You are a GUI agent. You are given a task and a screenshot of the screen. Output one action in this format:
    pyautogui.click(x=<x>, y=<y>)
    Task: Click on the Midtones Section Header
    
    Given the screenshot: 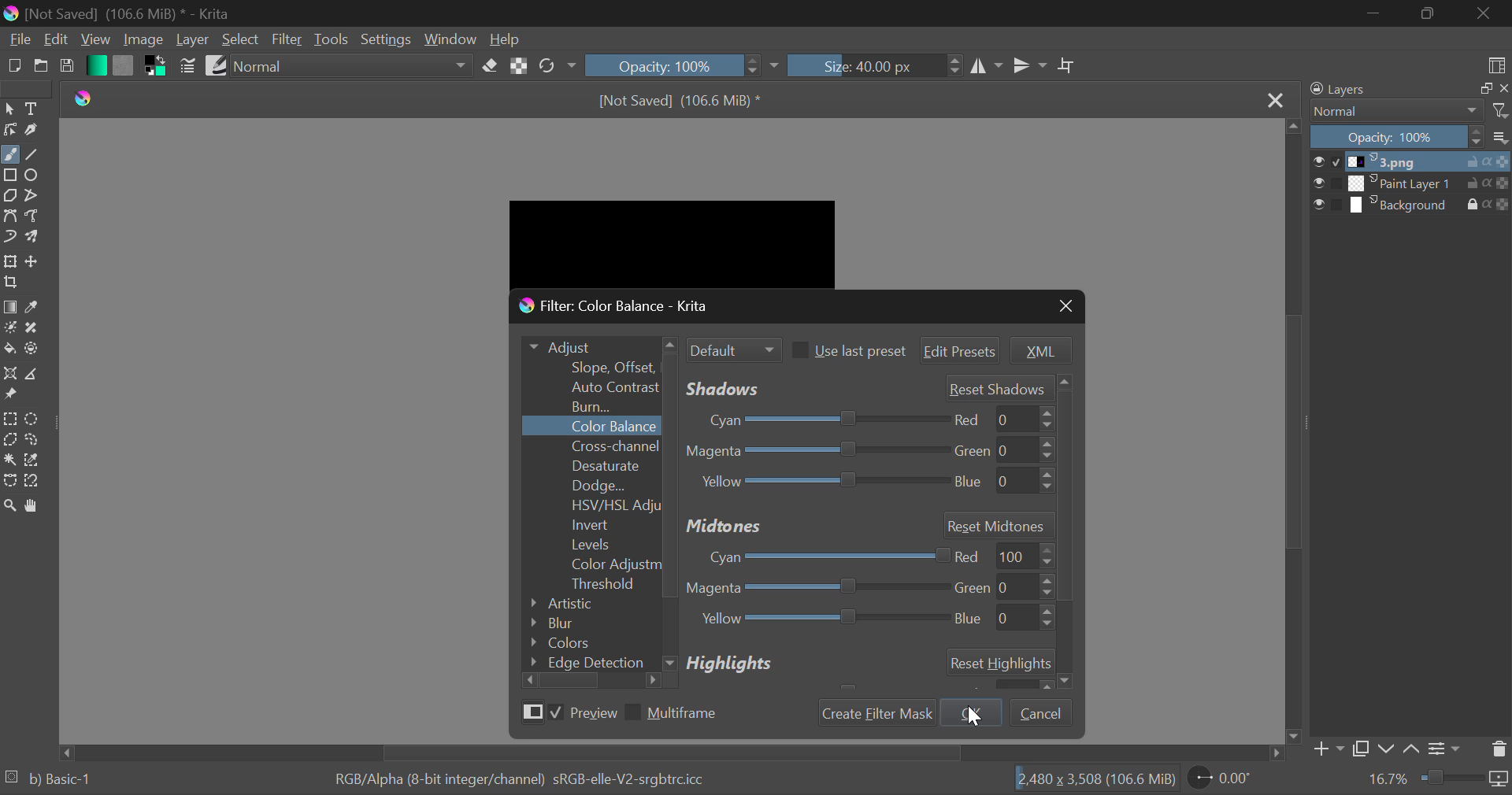 What is the action you would take?
    pyautogui.click(x=868, y=524)
    